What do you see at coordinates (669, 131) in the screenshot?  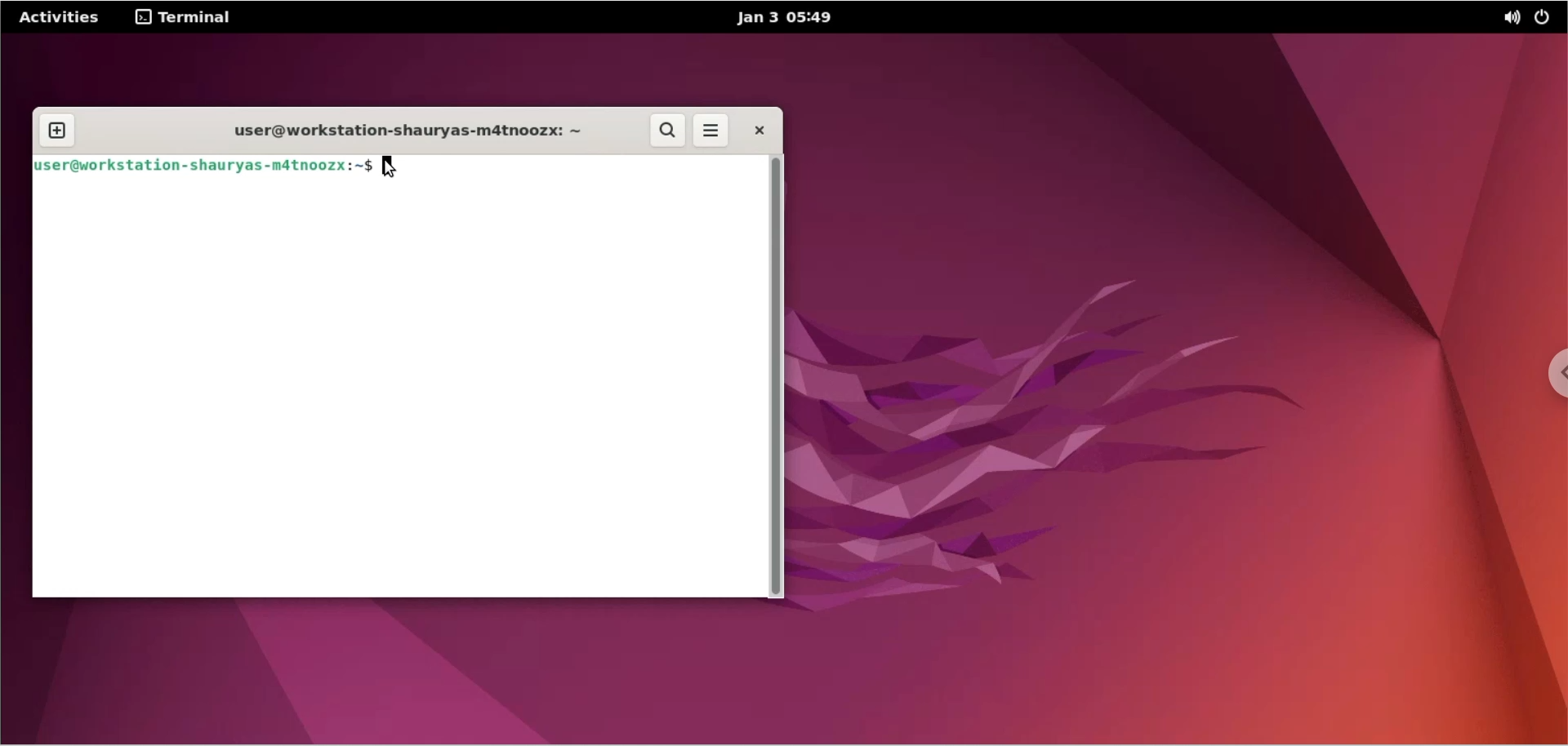 I see `search` at bounding box center [669, 131].